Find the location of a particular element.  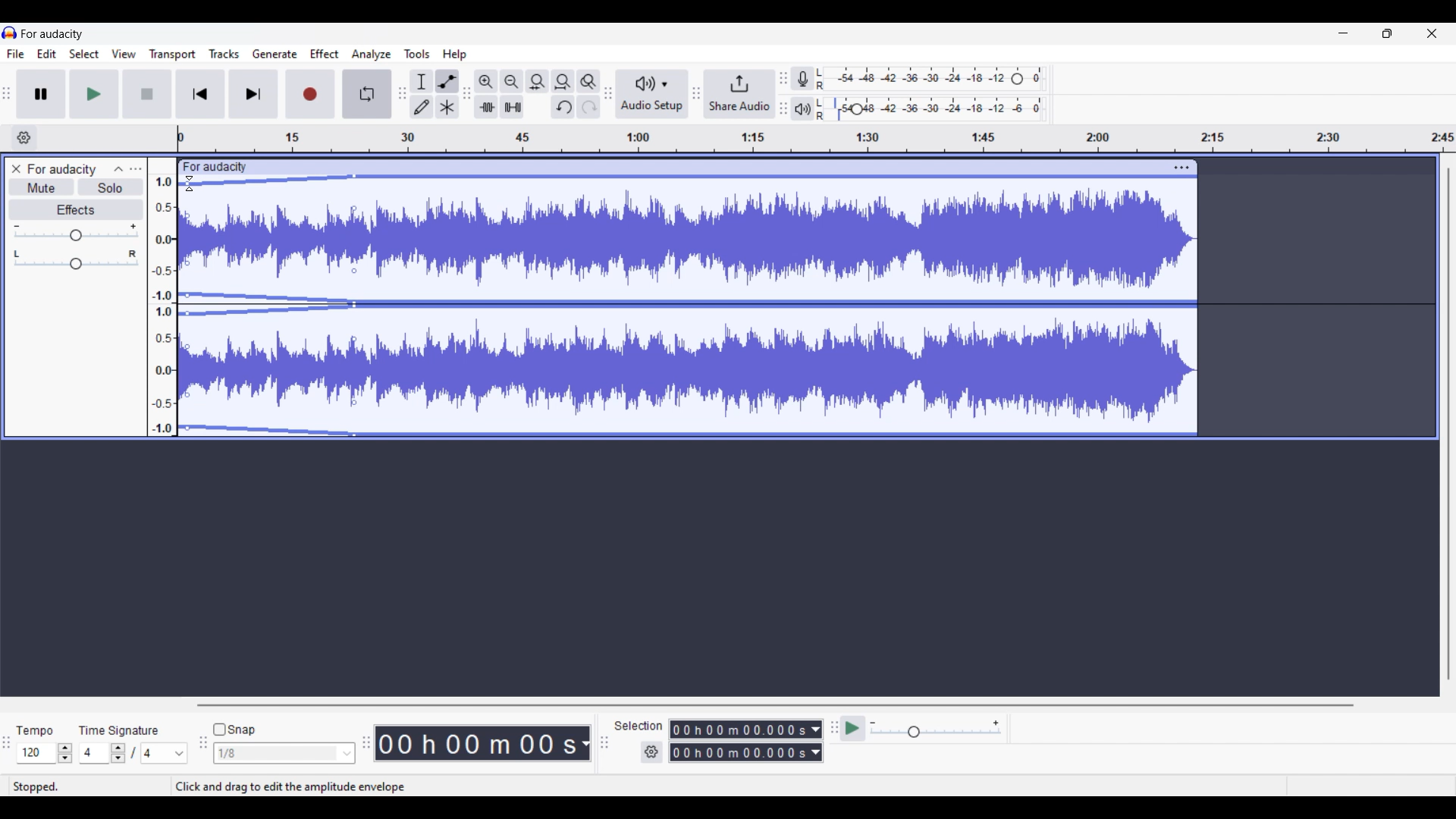

Fit project to width is located at coordinates (564, 81).